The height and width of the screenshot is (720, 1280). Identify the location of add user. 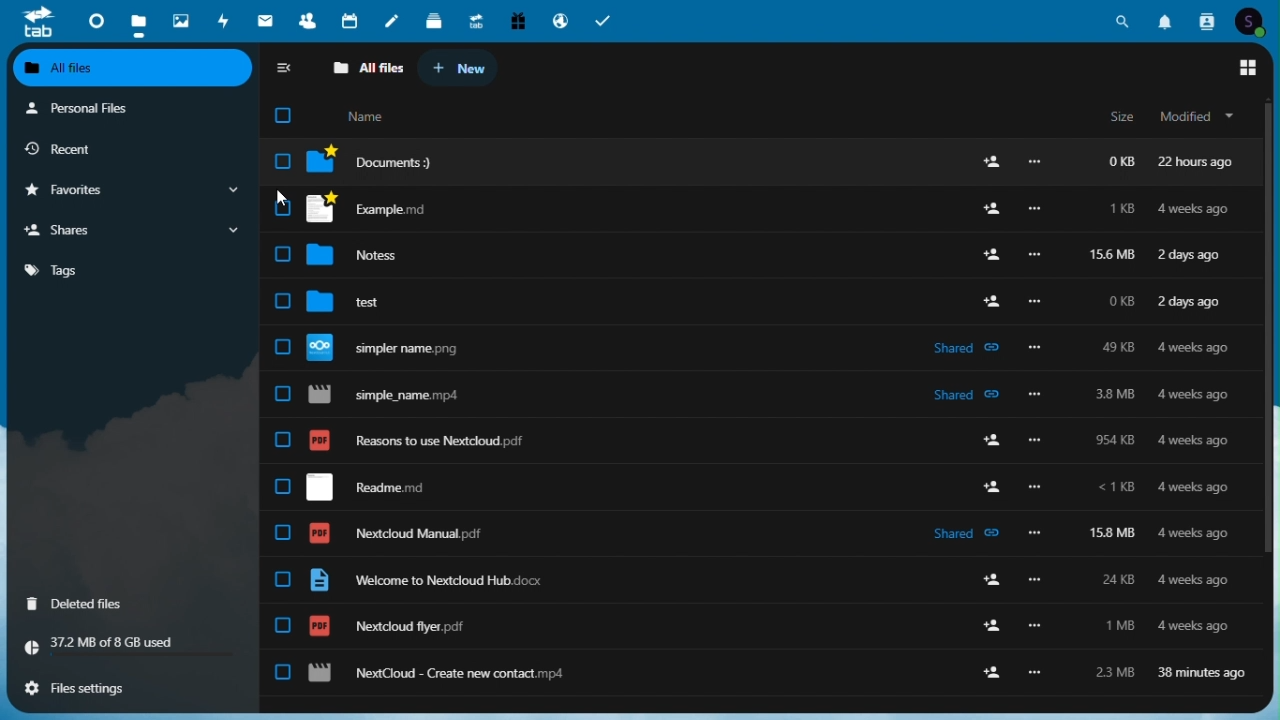
(996, 580).